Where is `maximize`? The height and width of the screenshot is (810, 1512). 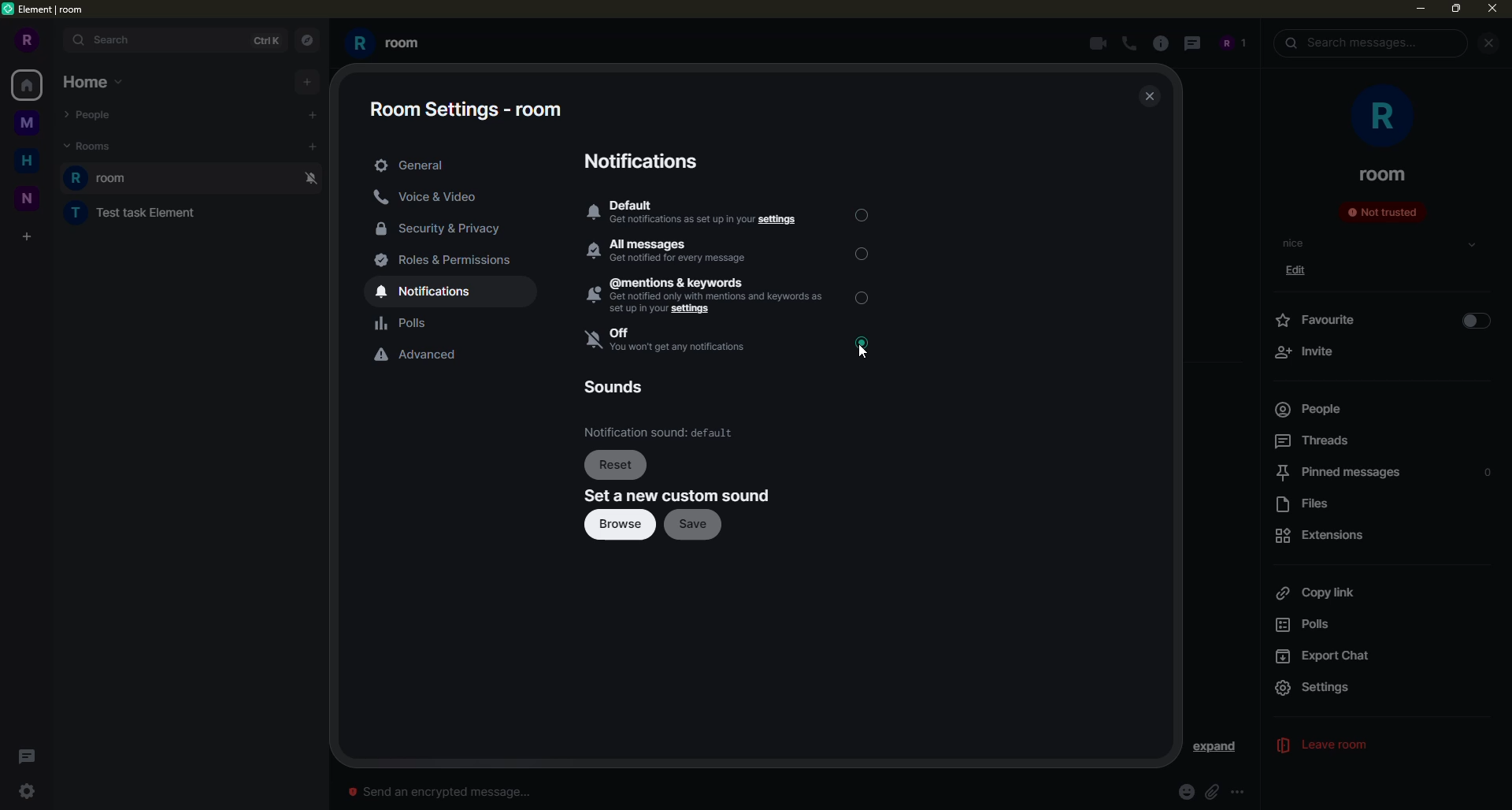 maximize is located at coordinates (1456, 10).